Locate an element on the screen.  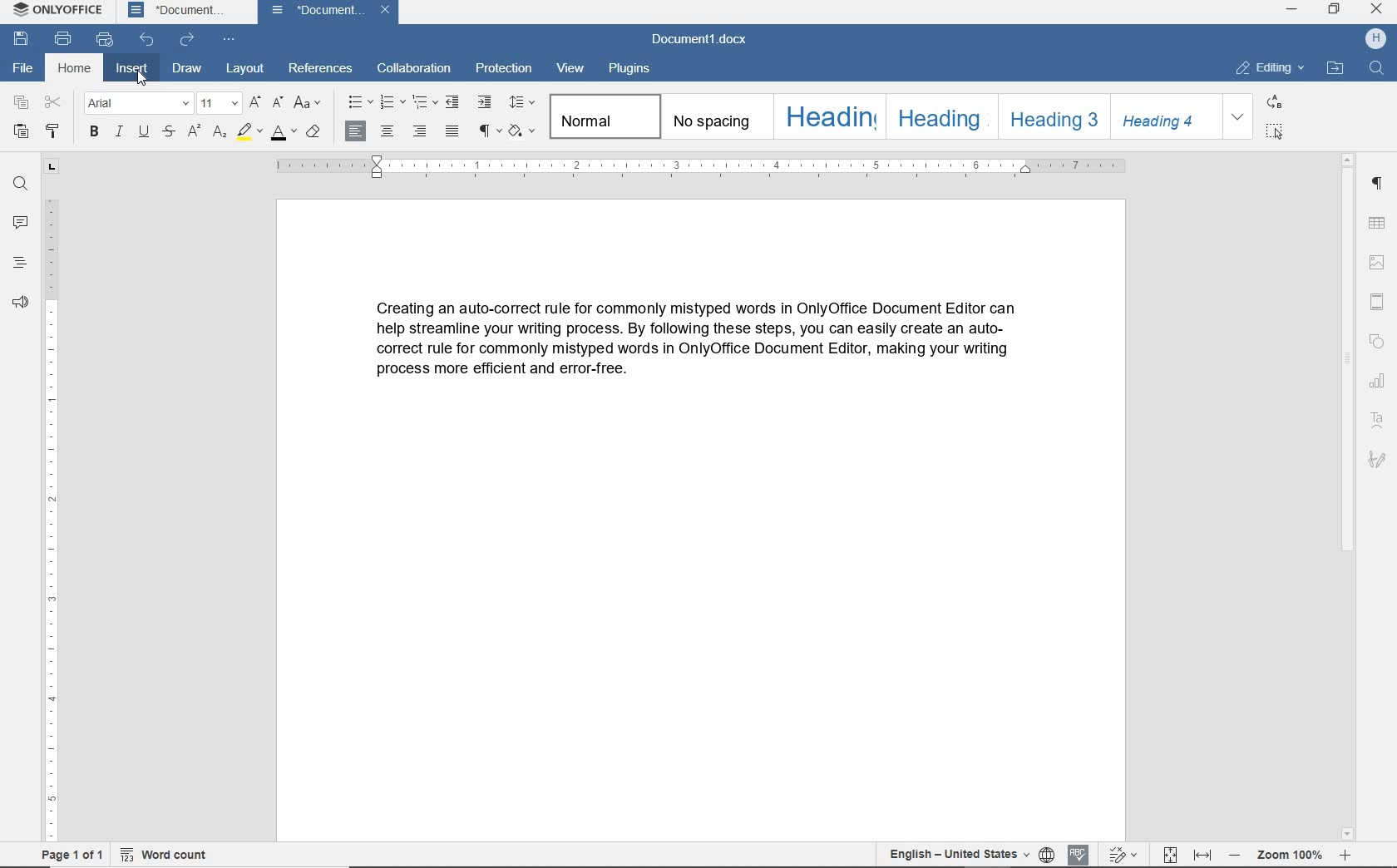
word count is located at coordinates (170, 856).